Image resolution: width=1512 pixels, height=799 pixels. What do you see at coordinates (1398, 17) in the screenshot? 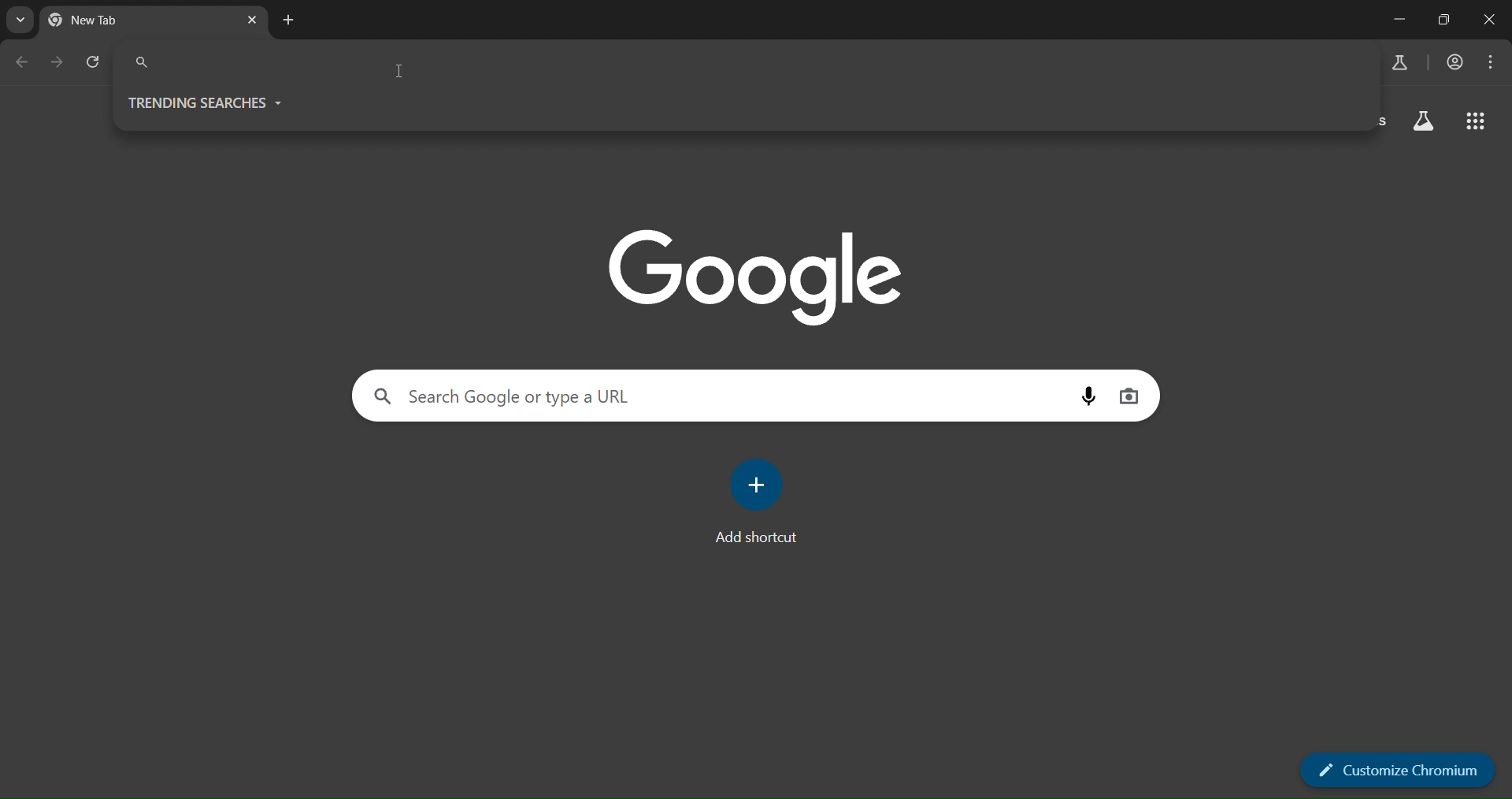
I see `minimize` at bounding box center [1398, 17].